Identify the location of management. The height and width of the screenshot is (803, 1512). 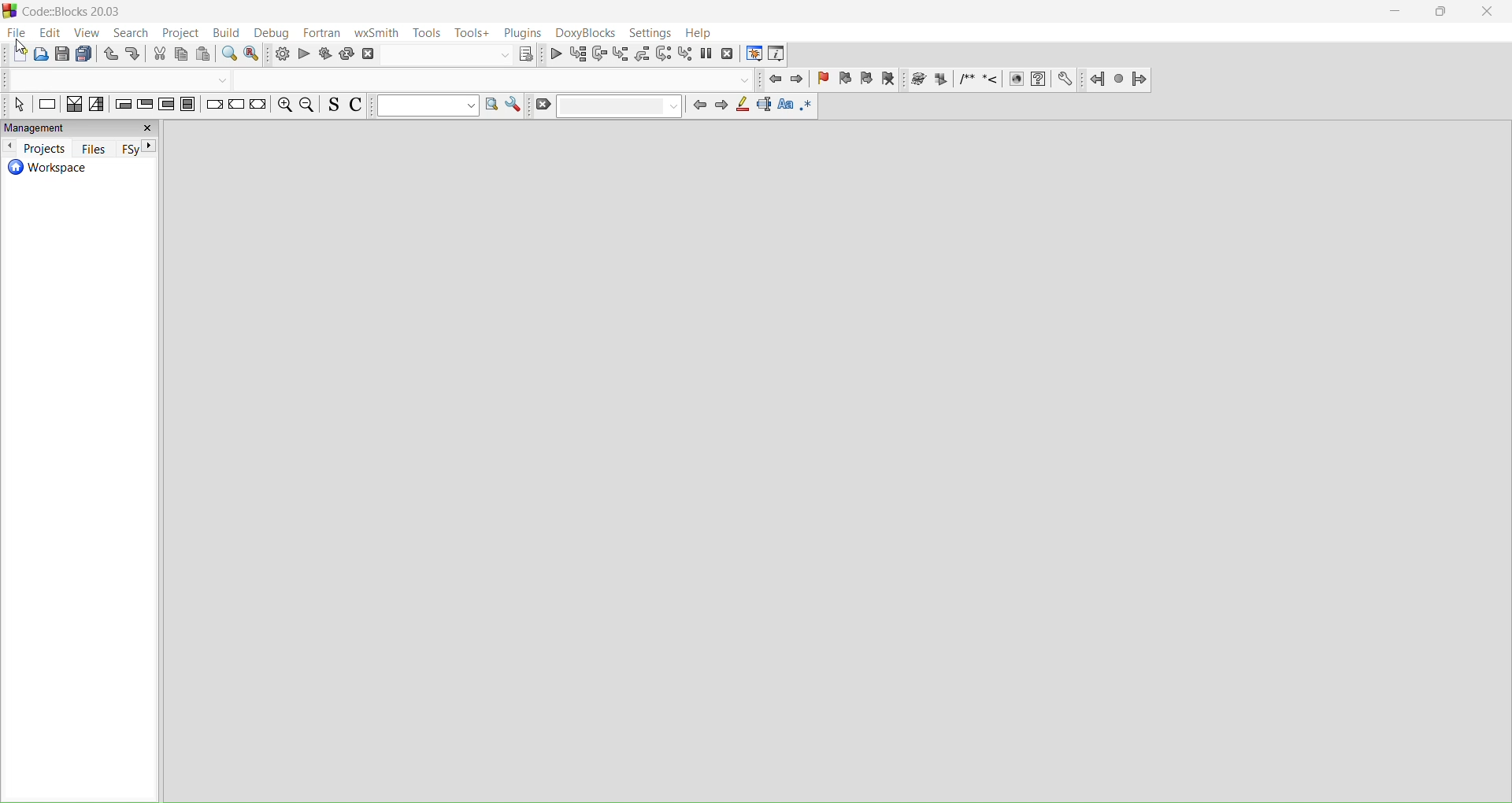
(82, 128).